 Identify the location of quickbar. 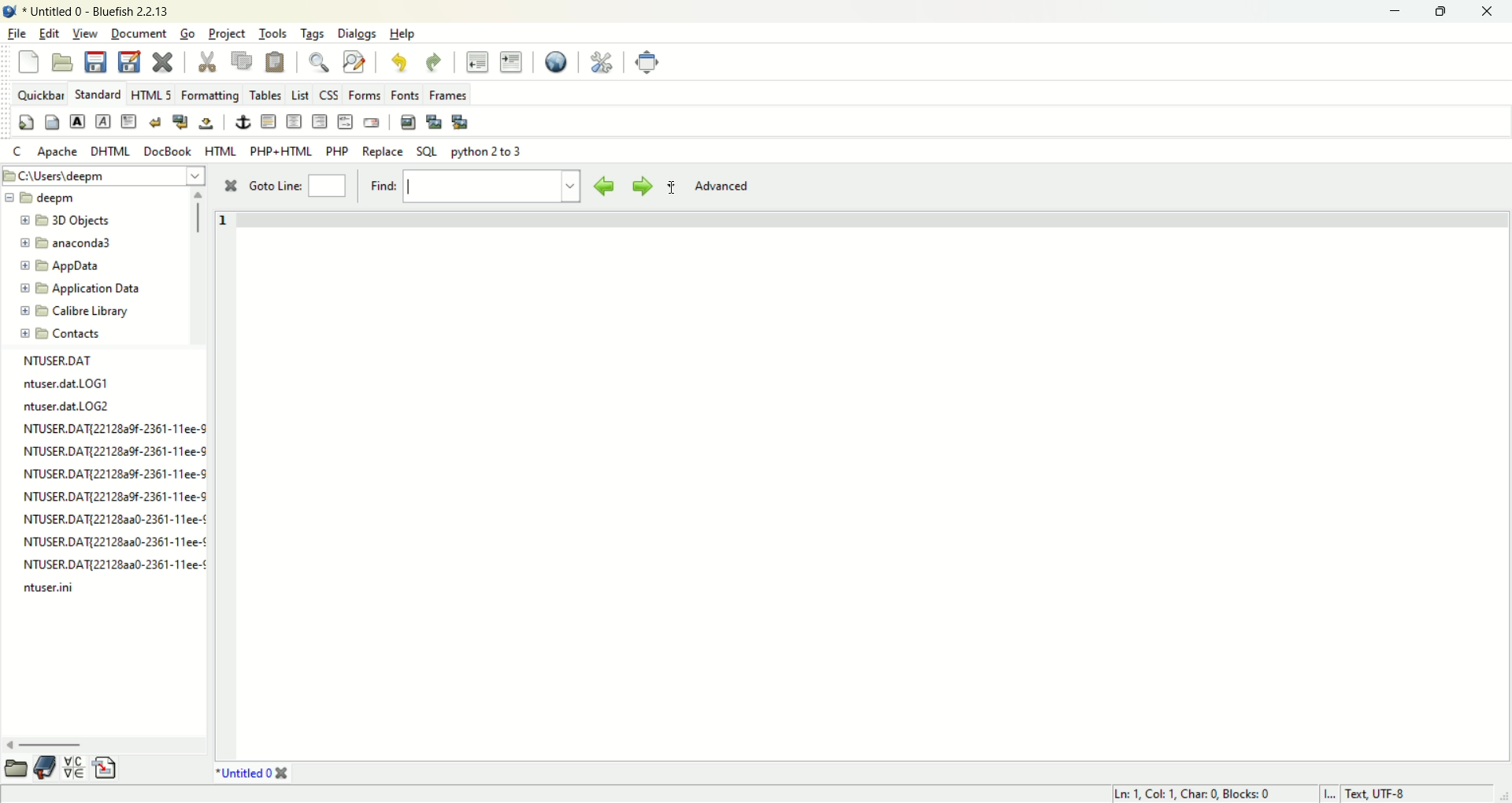
(40, 94).